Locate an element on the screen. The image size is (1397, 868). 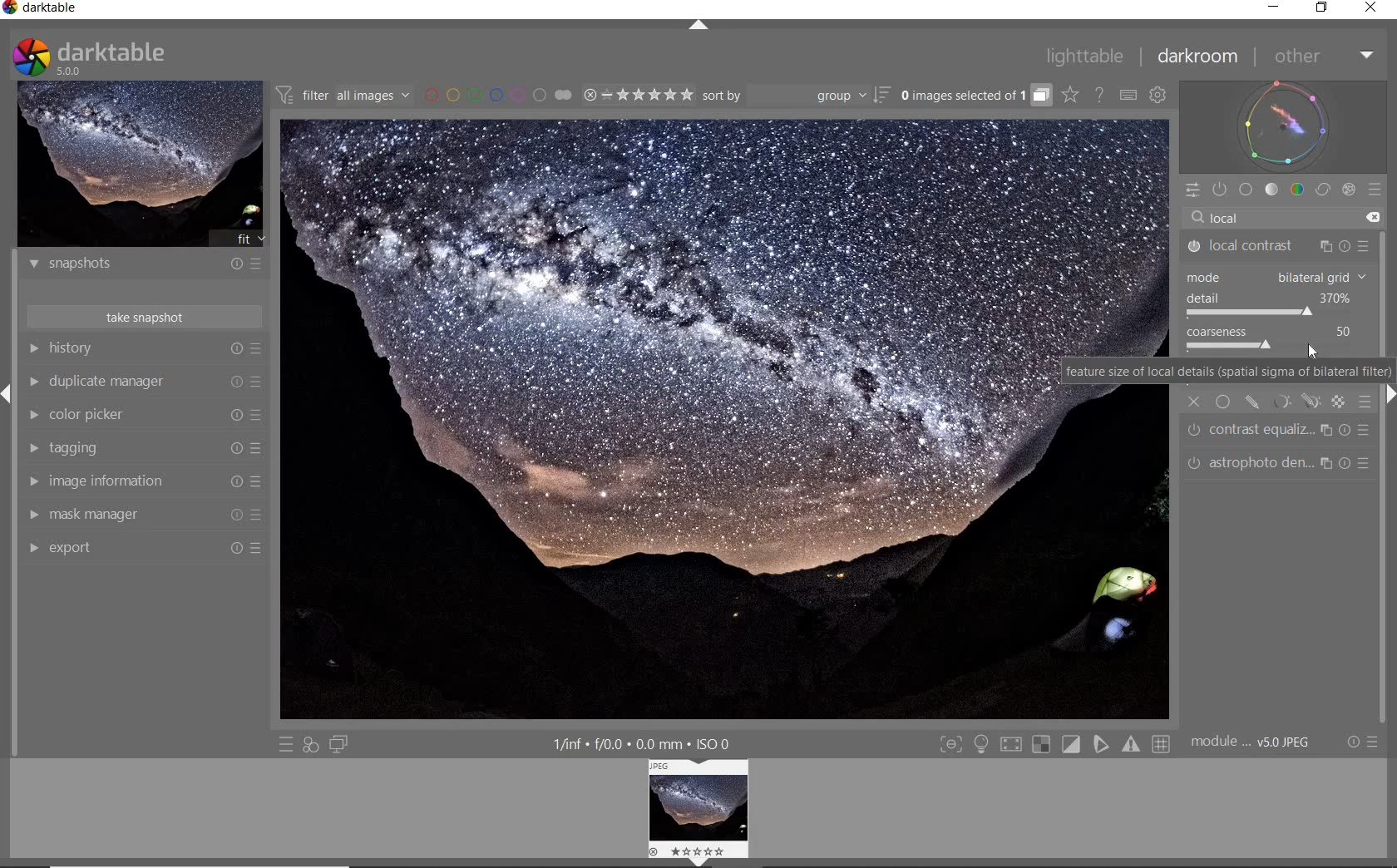
Local is located at coordinates (1273, 215).